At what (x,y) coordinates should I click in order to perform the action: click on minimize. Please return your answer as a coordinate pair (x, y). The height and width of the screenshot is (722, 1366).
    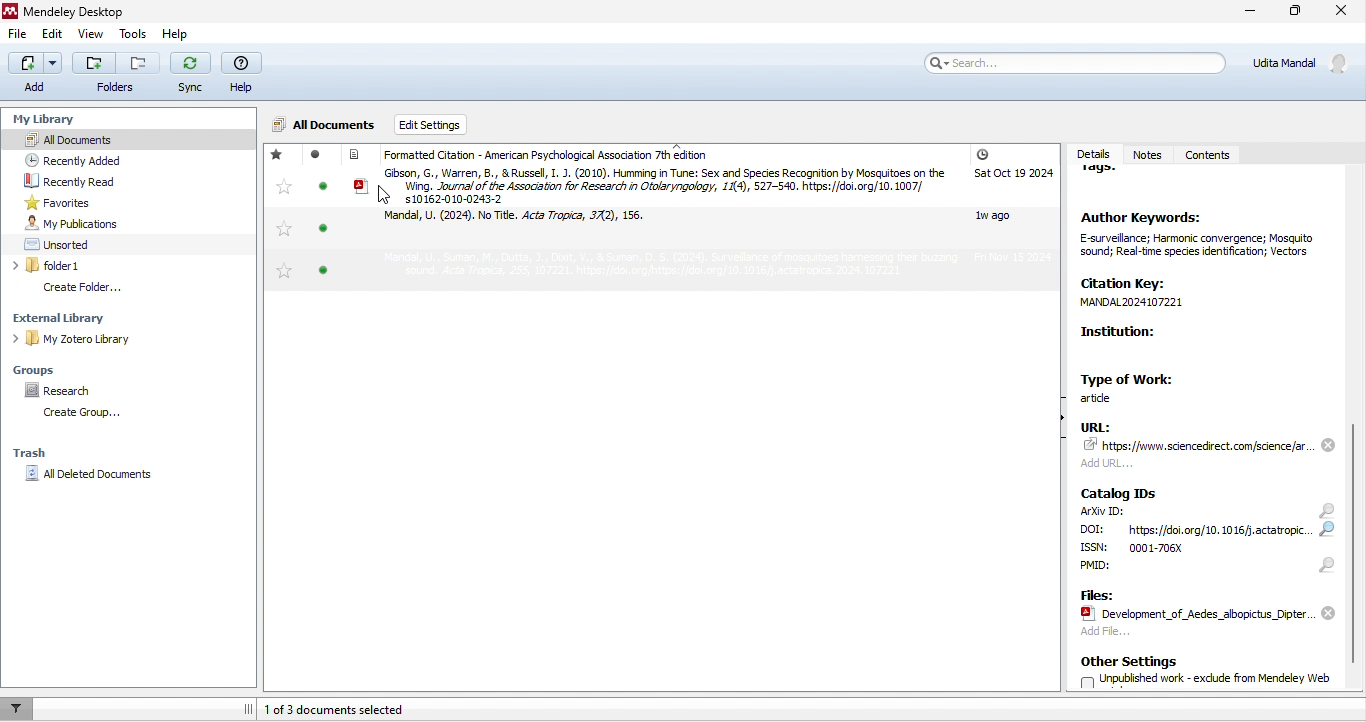
    Looking at the image, I should click on (1247, 13).